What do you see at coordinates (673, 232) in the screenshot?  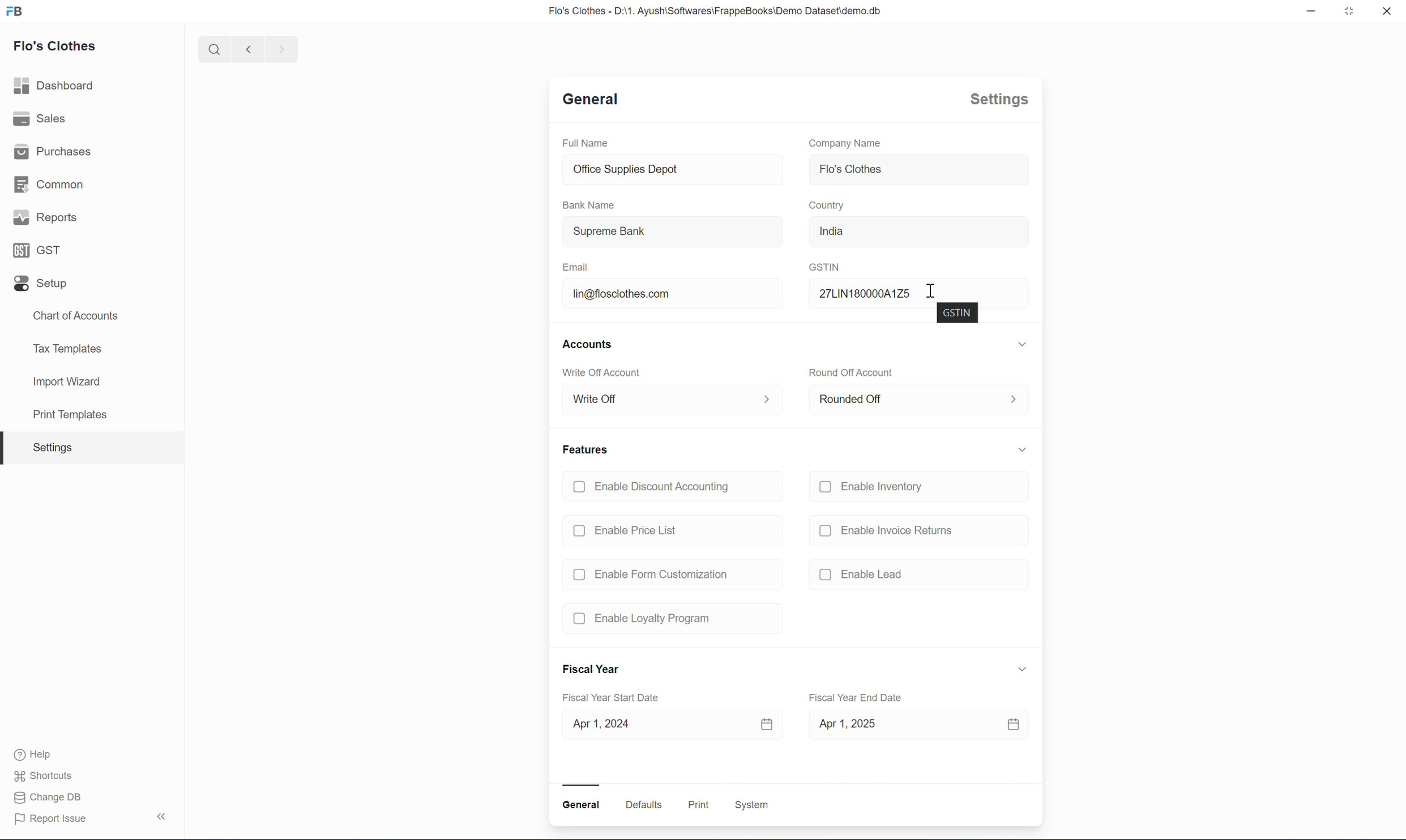 I see `Supreme Bank` at bounding box center [673, 232].